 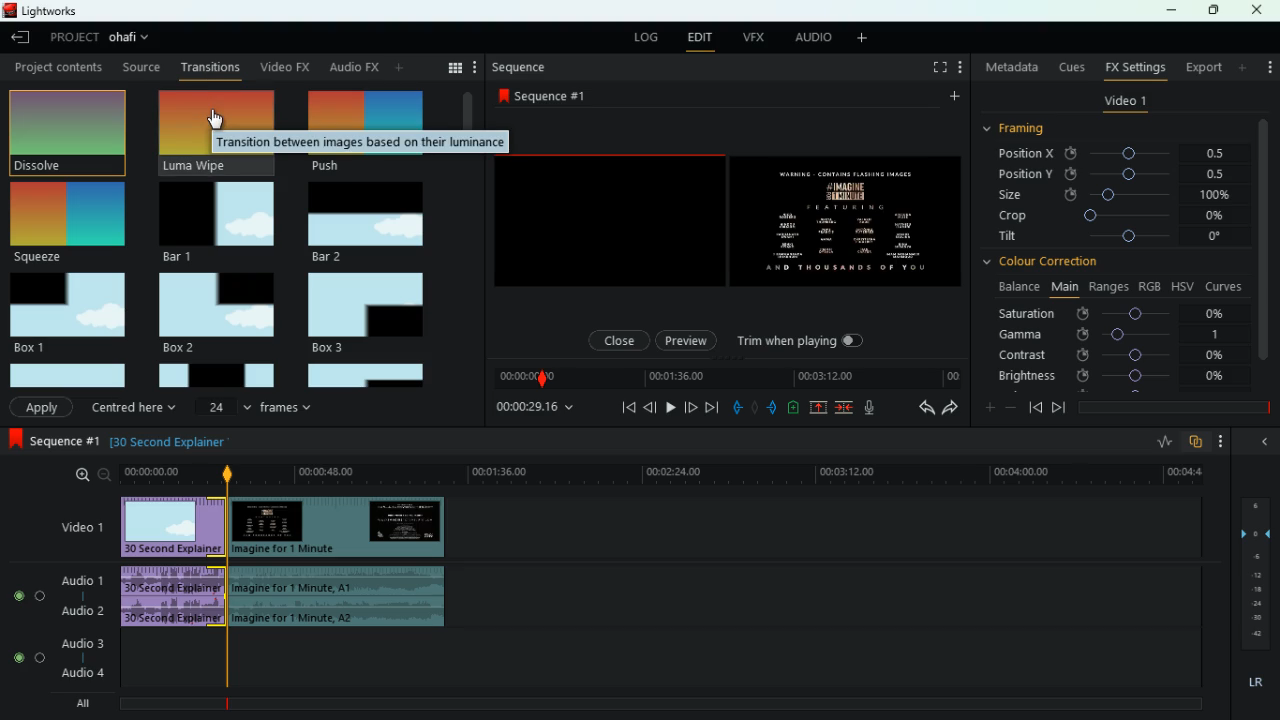 I want to click on join, so click(x=843, y=408).